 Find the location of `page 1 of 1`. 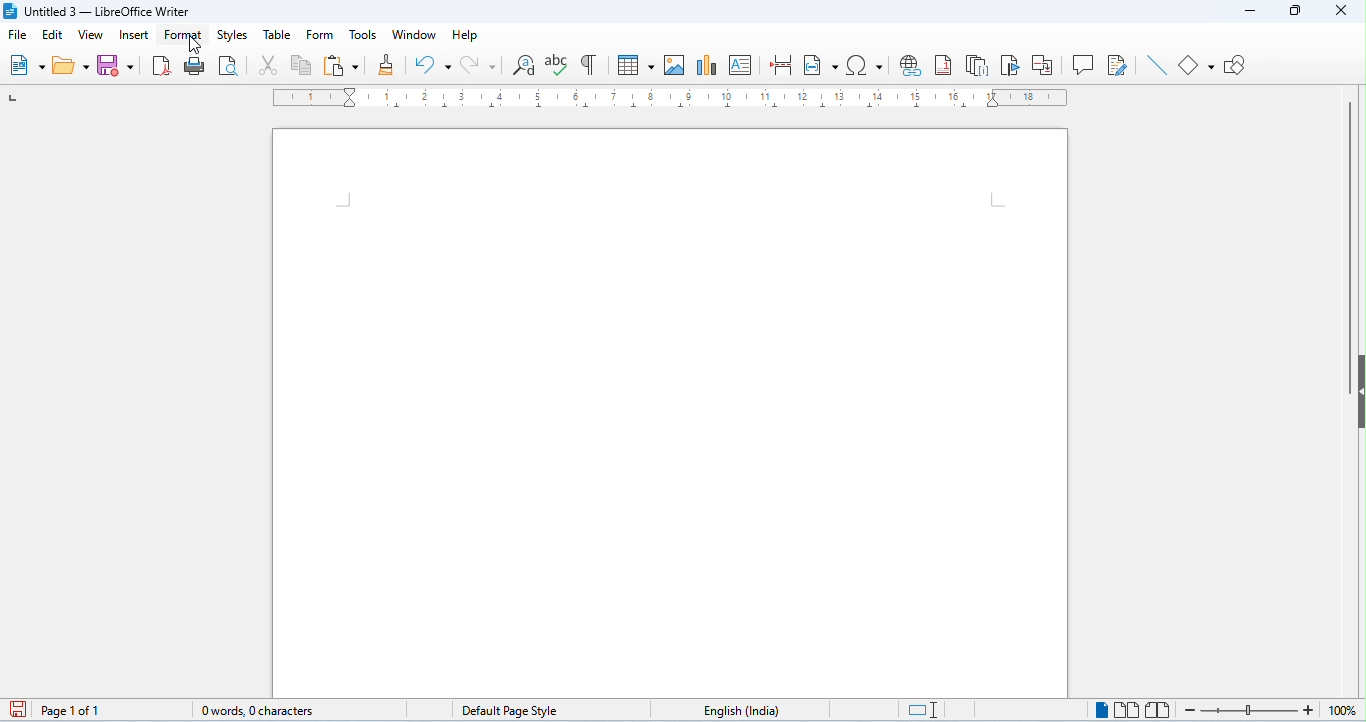

page 1 of 1 is located at coordinates (73, 711).